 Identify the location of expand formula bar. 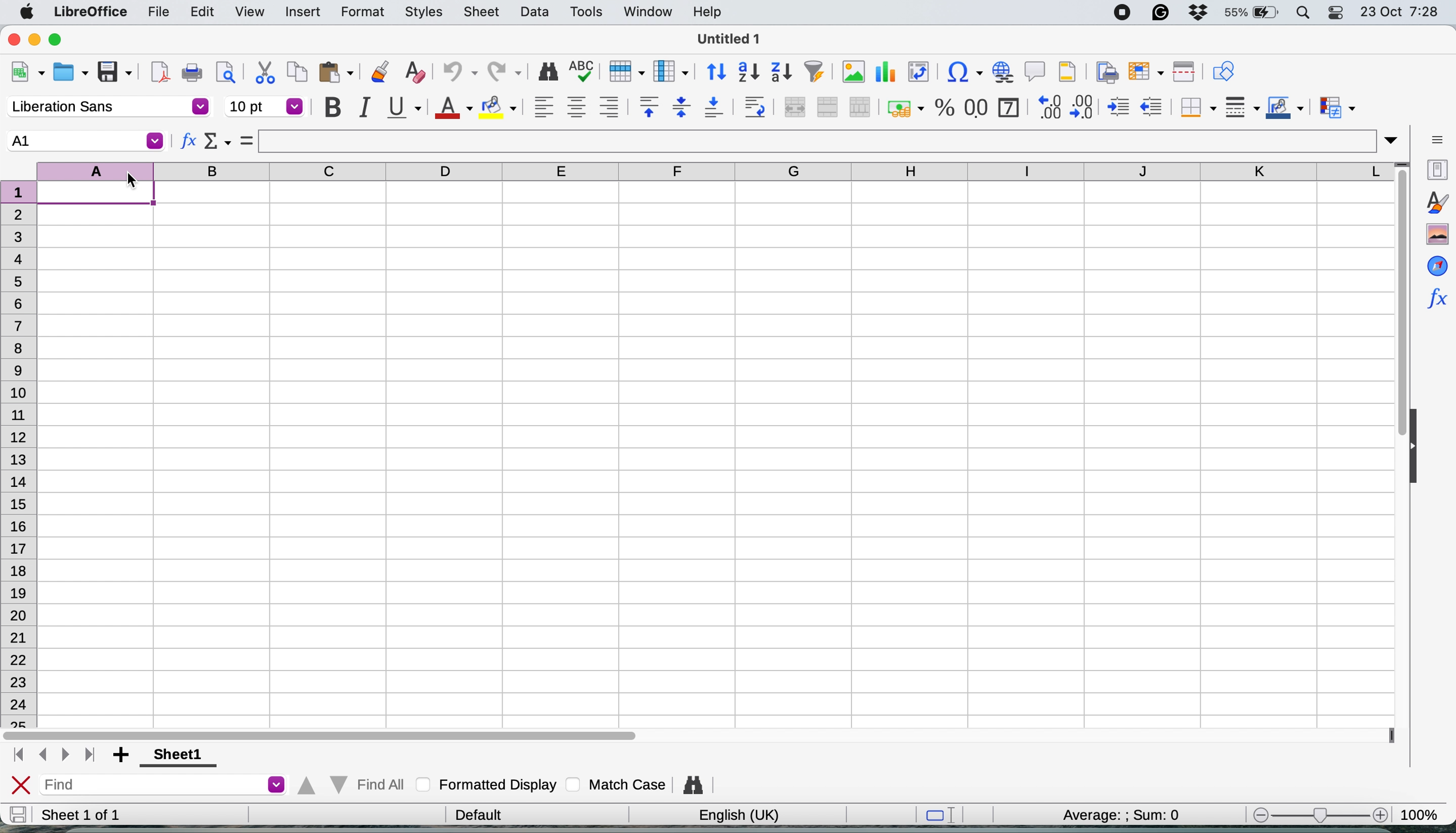
(1395, 140).